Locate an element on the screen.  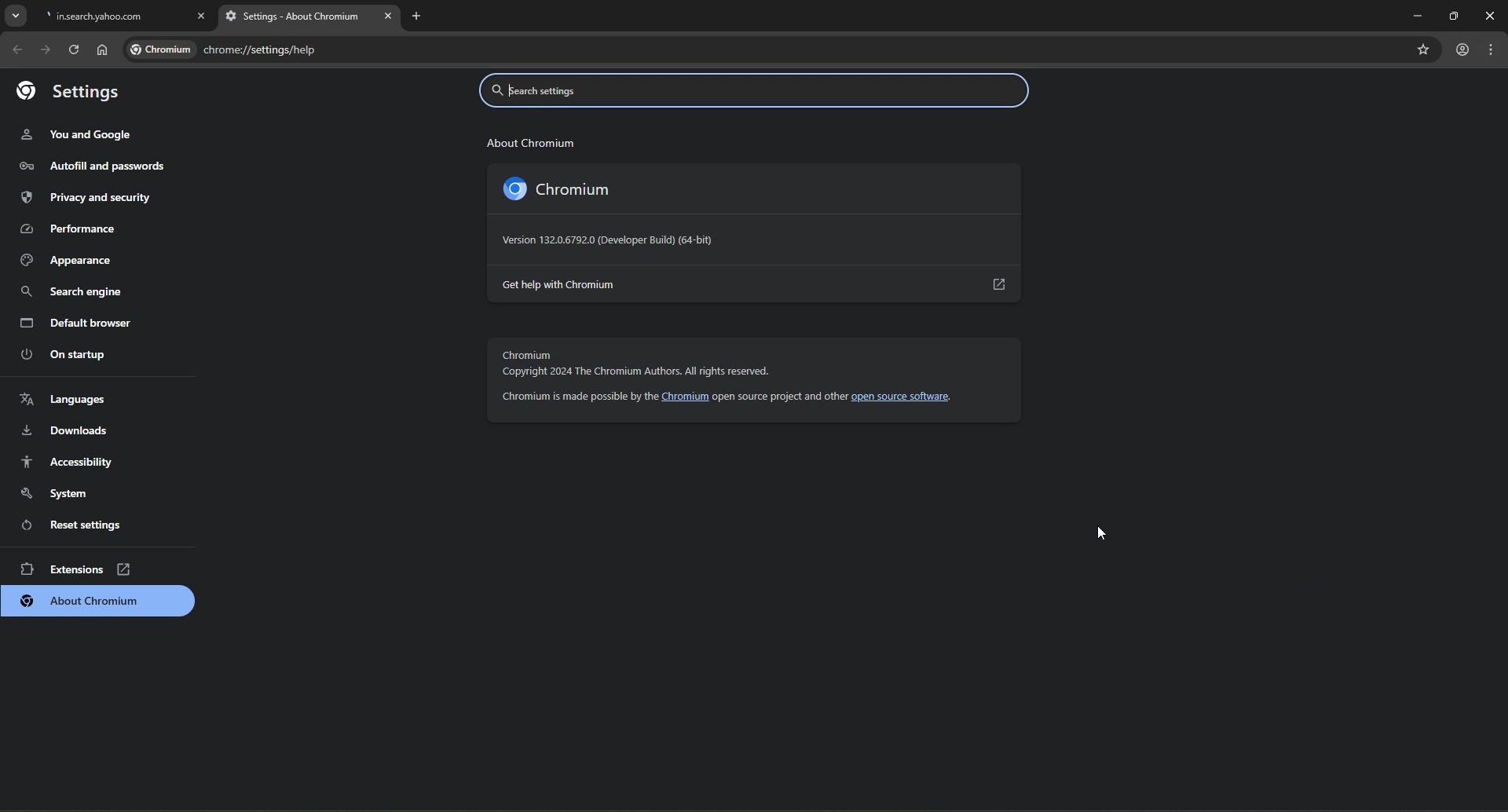
Add chromium is located at coordinates (100, 602).